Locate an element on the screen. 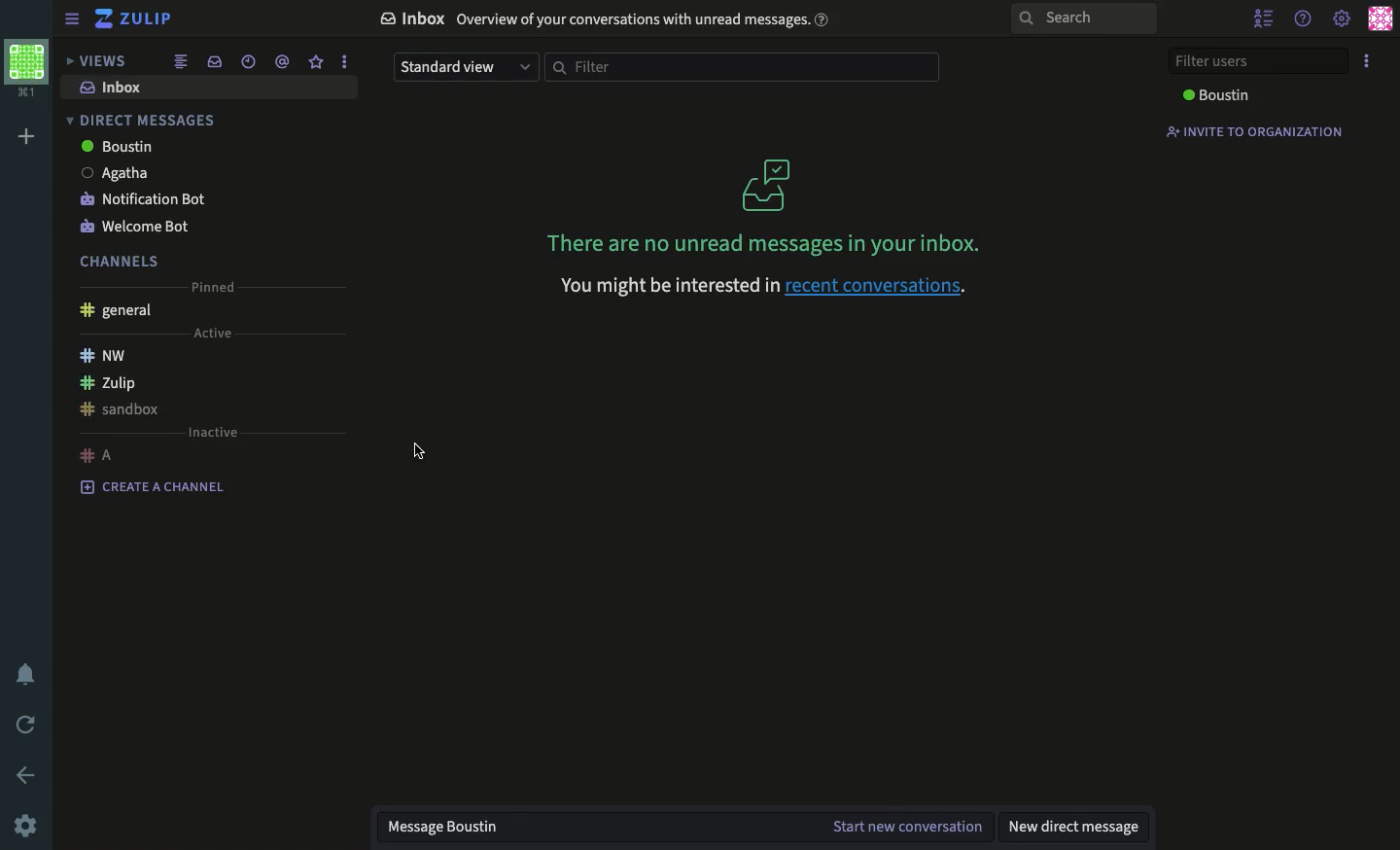 Image resolution: width=1400 pixels, height=850 pixels. options is located at coordinates (347, 61).